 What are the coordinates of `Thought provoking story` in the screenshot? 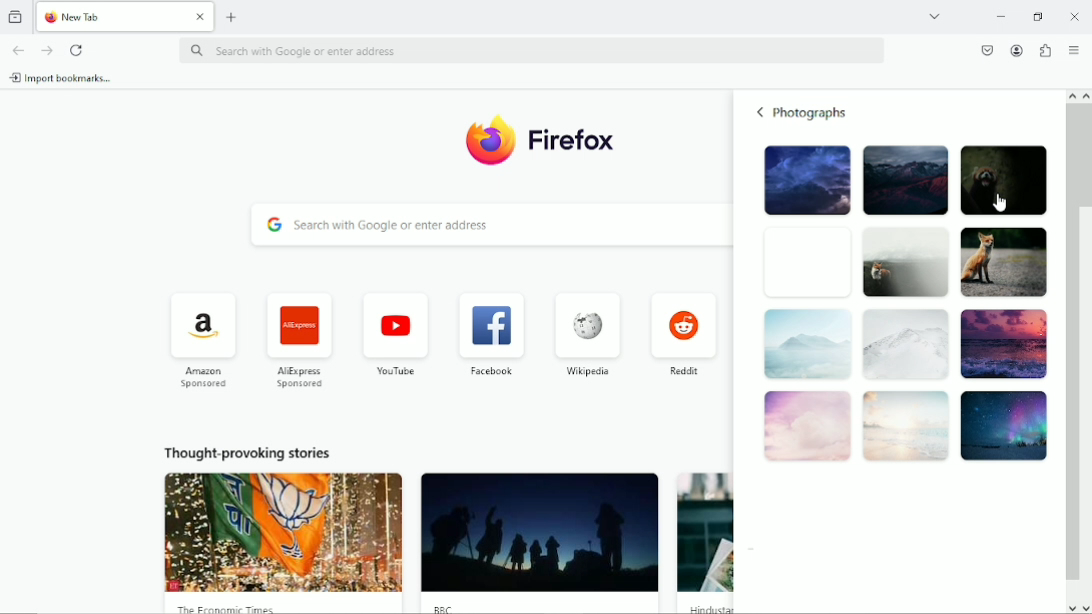 It's located at (283, 542).